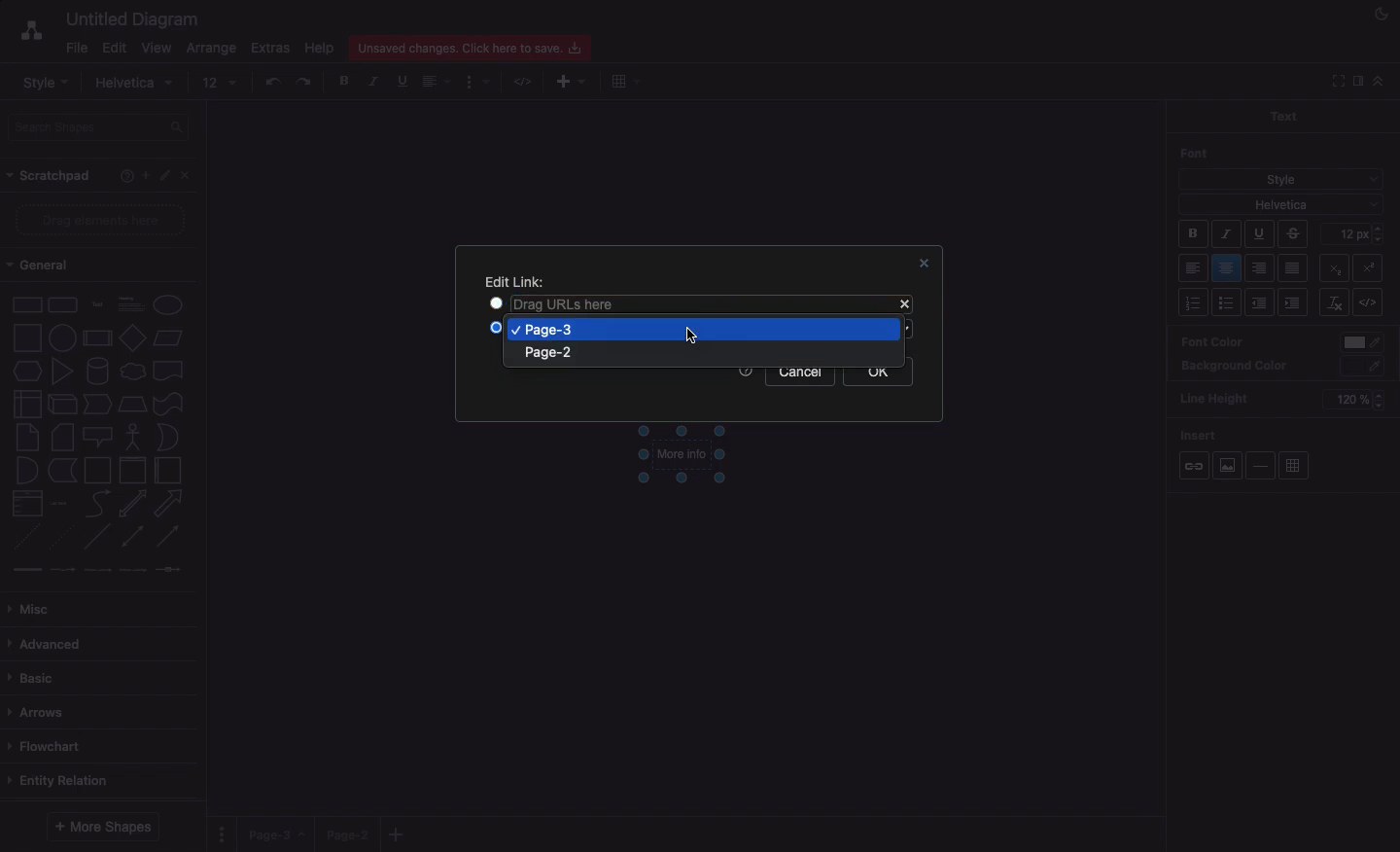 The image size is (1400, 852). Describe the element at coordinates (468, 47) in the screenshot. I see `Unsaved changes. click here to save` at that location.